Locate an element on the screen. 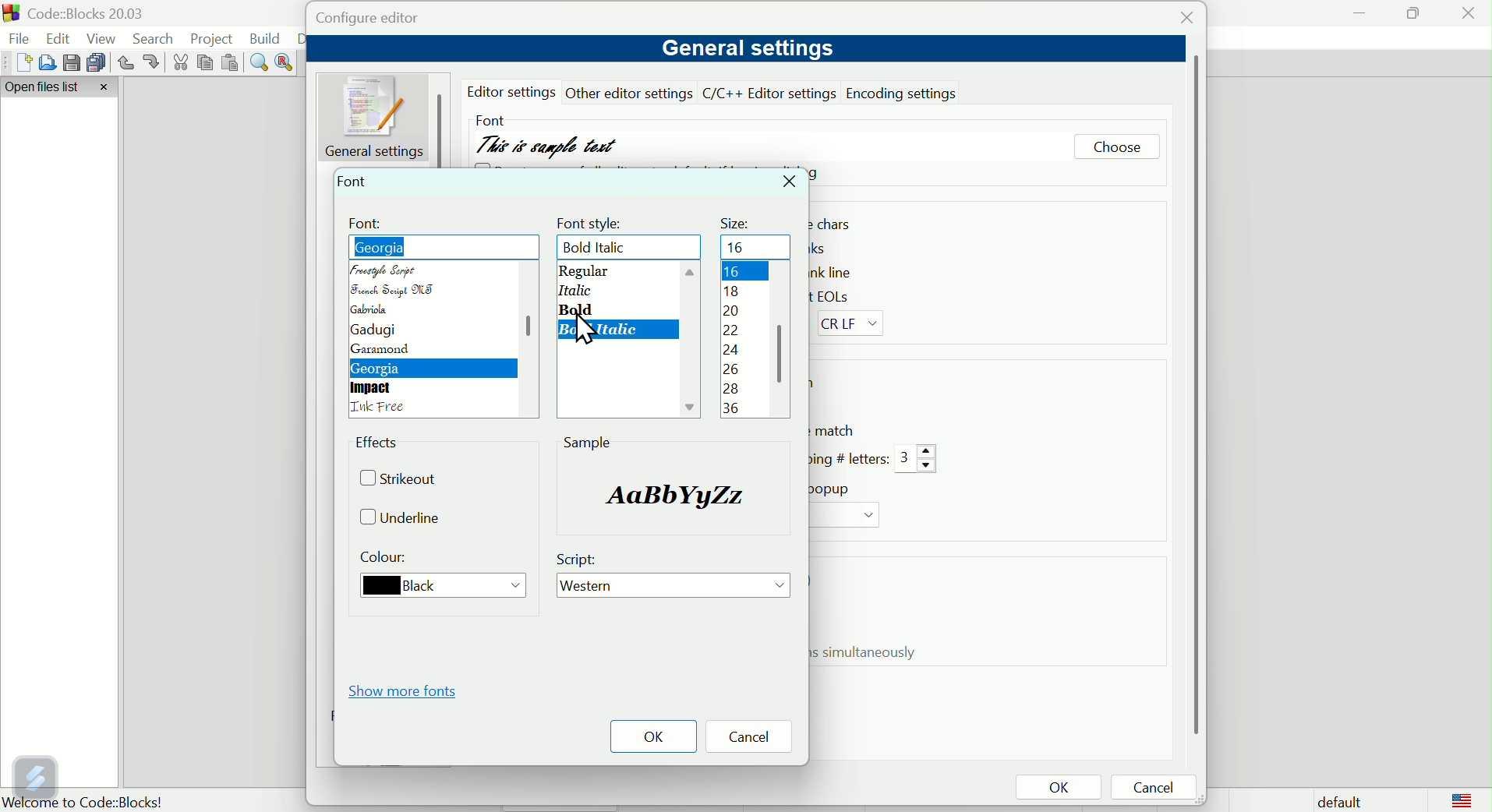 The height and width of the screenshot is (812, 1492). Choose is located at coordinates (1116, 149).